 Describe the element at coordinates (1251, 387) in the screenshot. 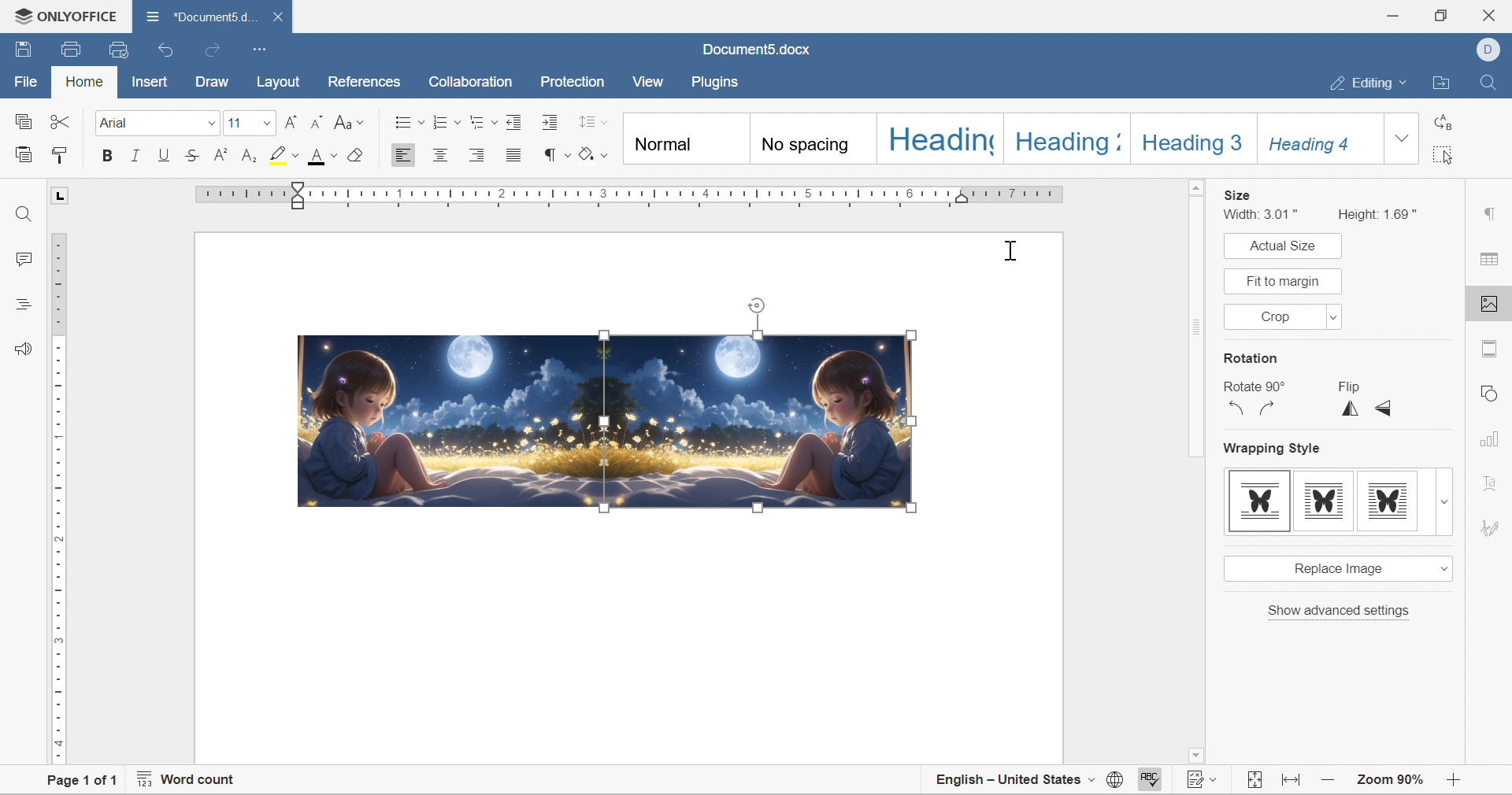

I see `rotate 90°` at that location.